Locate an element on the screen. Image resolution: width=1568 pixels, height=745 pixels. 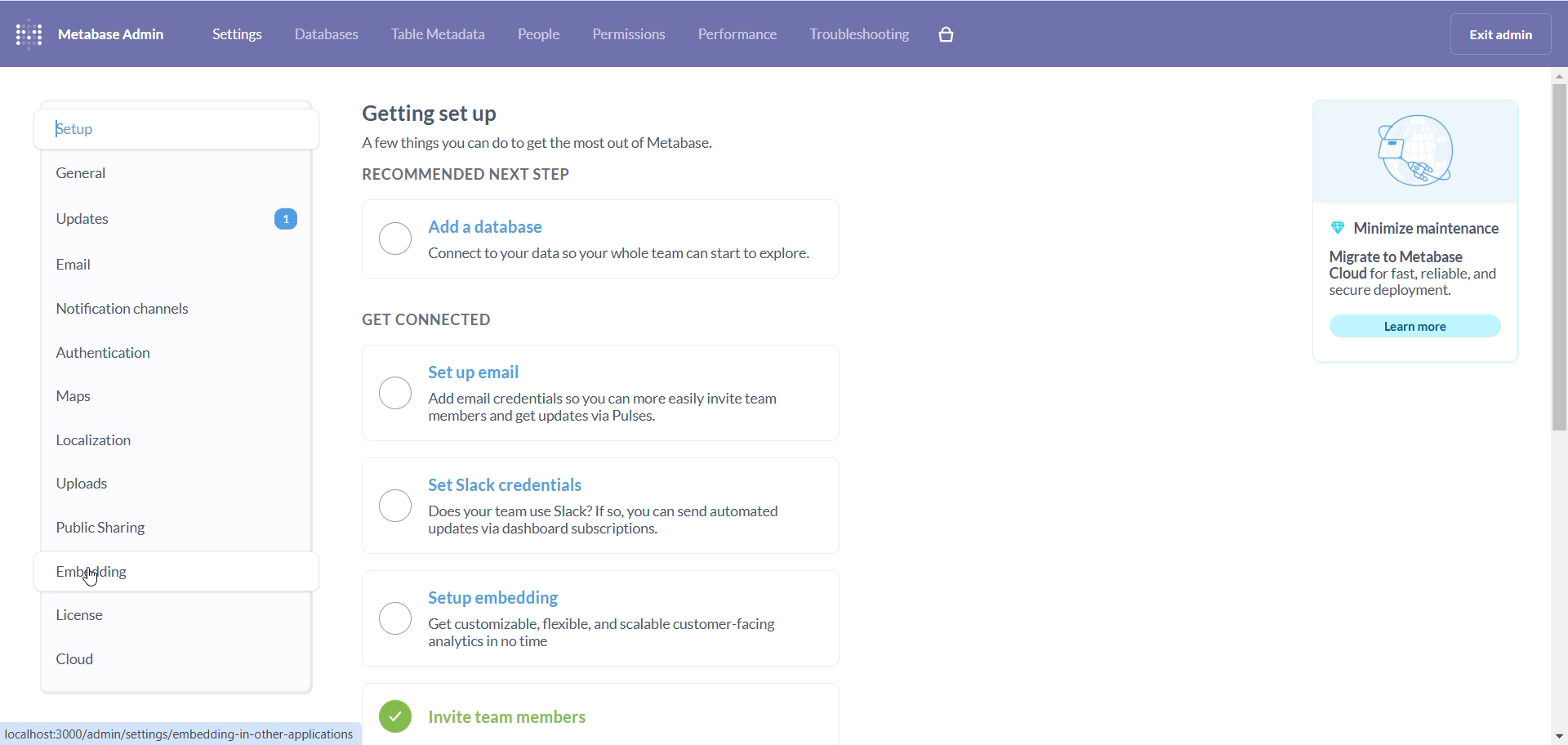
cart is located at coordinates (950, 34).